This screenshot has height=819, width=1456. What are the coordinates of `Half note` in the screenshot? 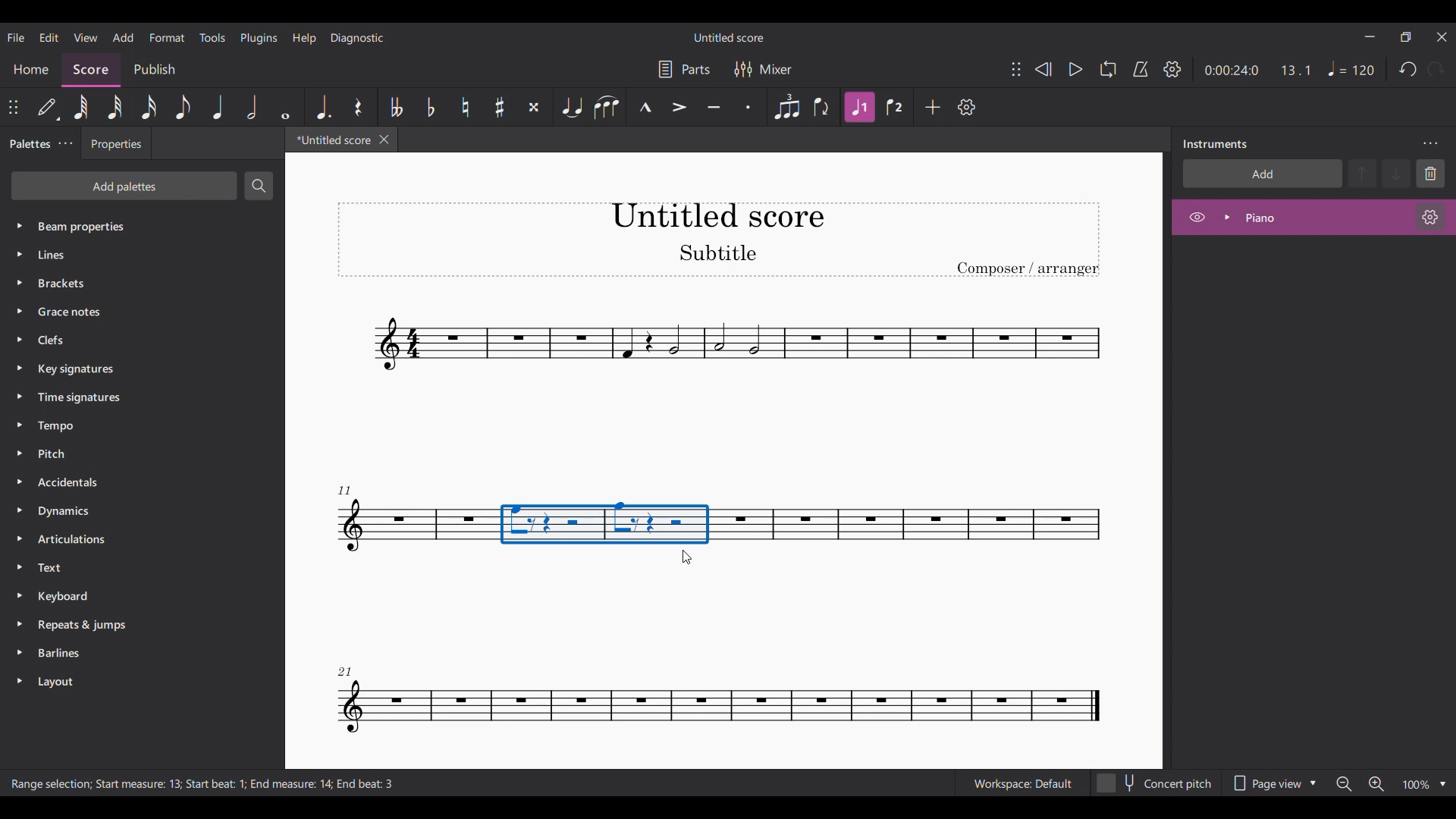 It's located at (252, 107).